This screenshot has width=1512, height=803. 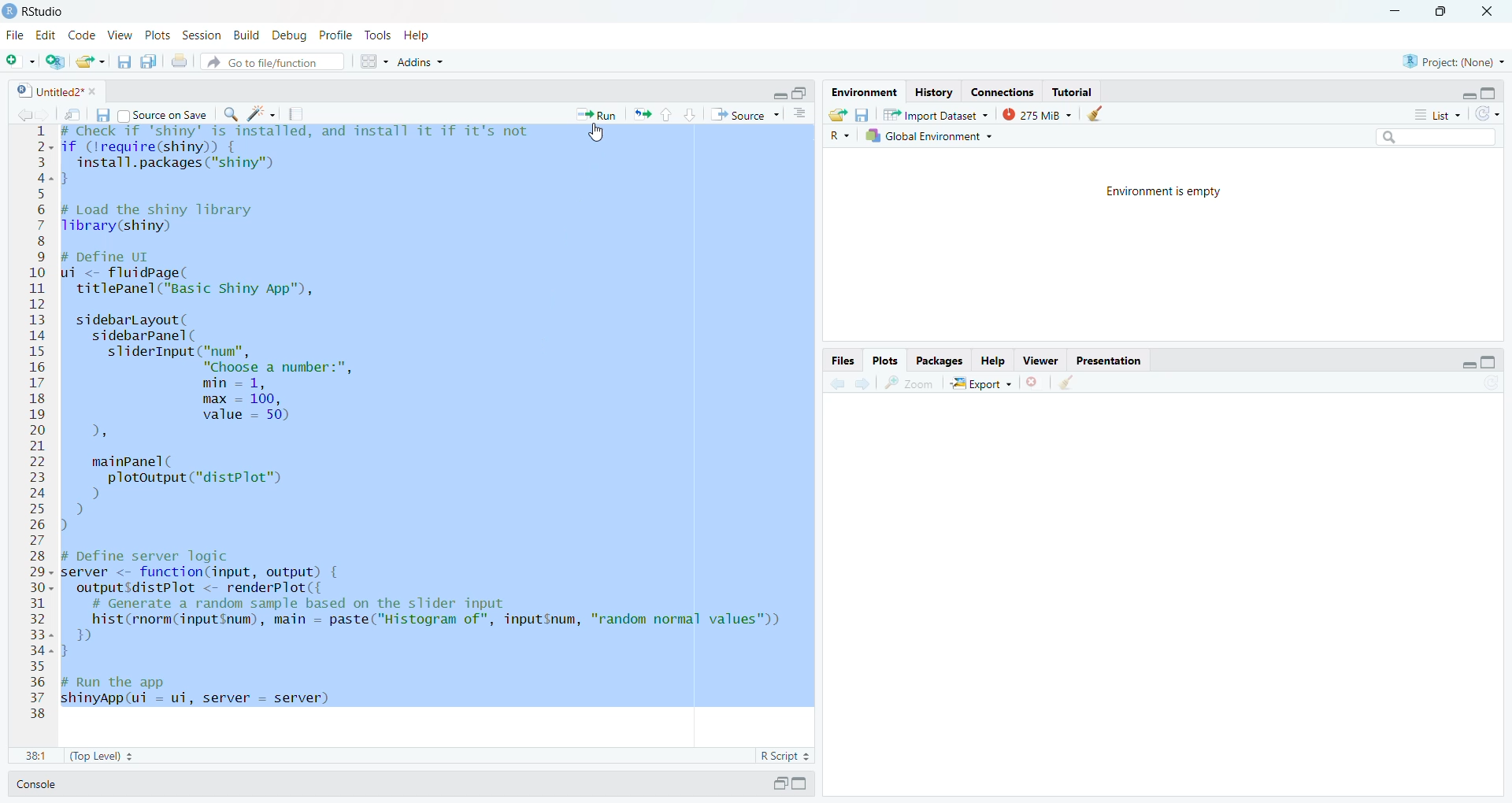 What do you see at coordinates (9, 11) in the screenshot?
I see `logo` at bounding box center [9, 11].